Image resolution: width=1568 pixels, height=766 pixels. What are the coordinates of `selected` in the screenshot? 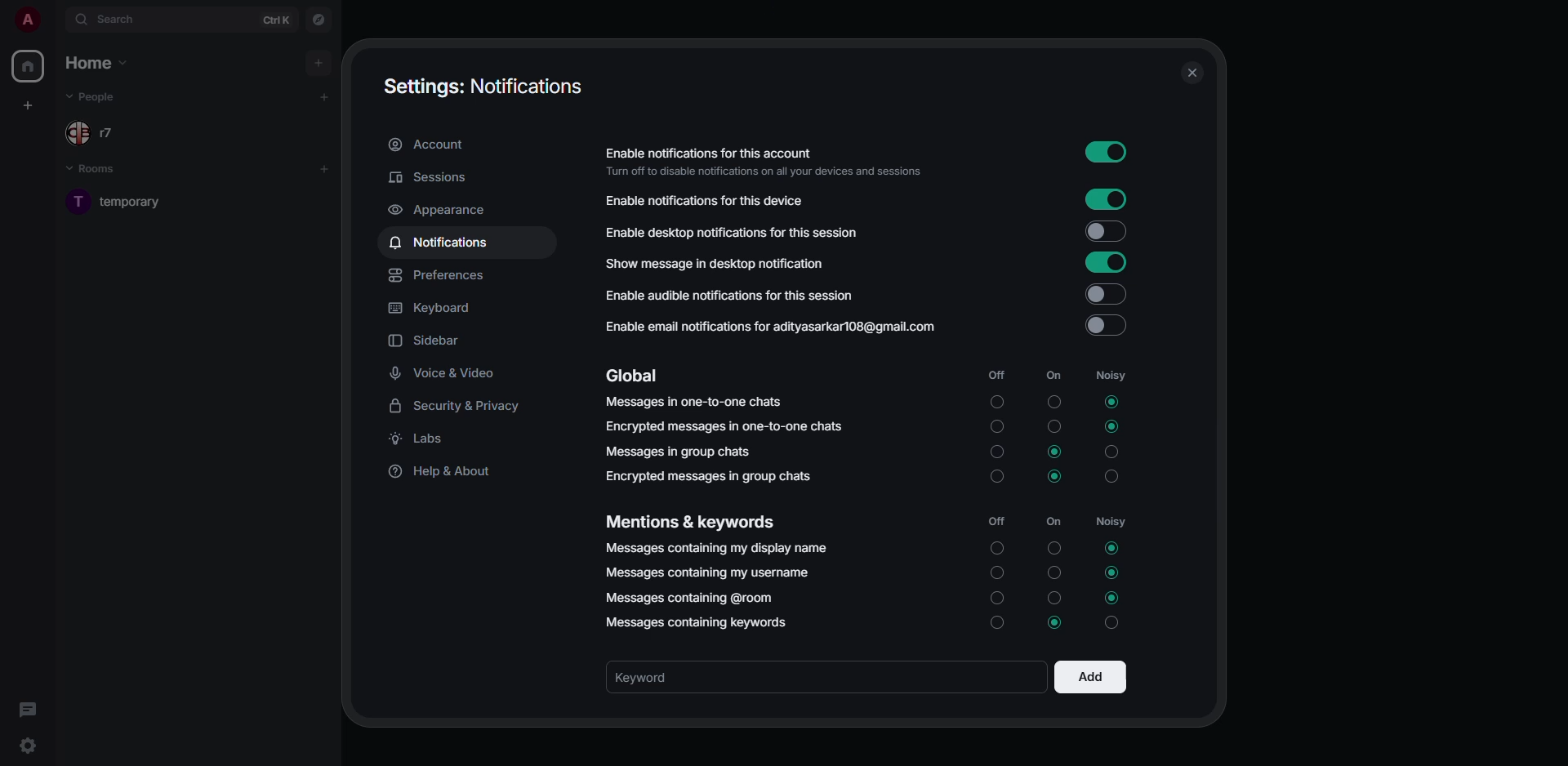 It's located at (1112, 546).